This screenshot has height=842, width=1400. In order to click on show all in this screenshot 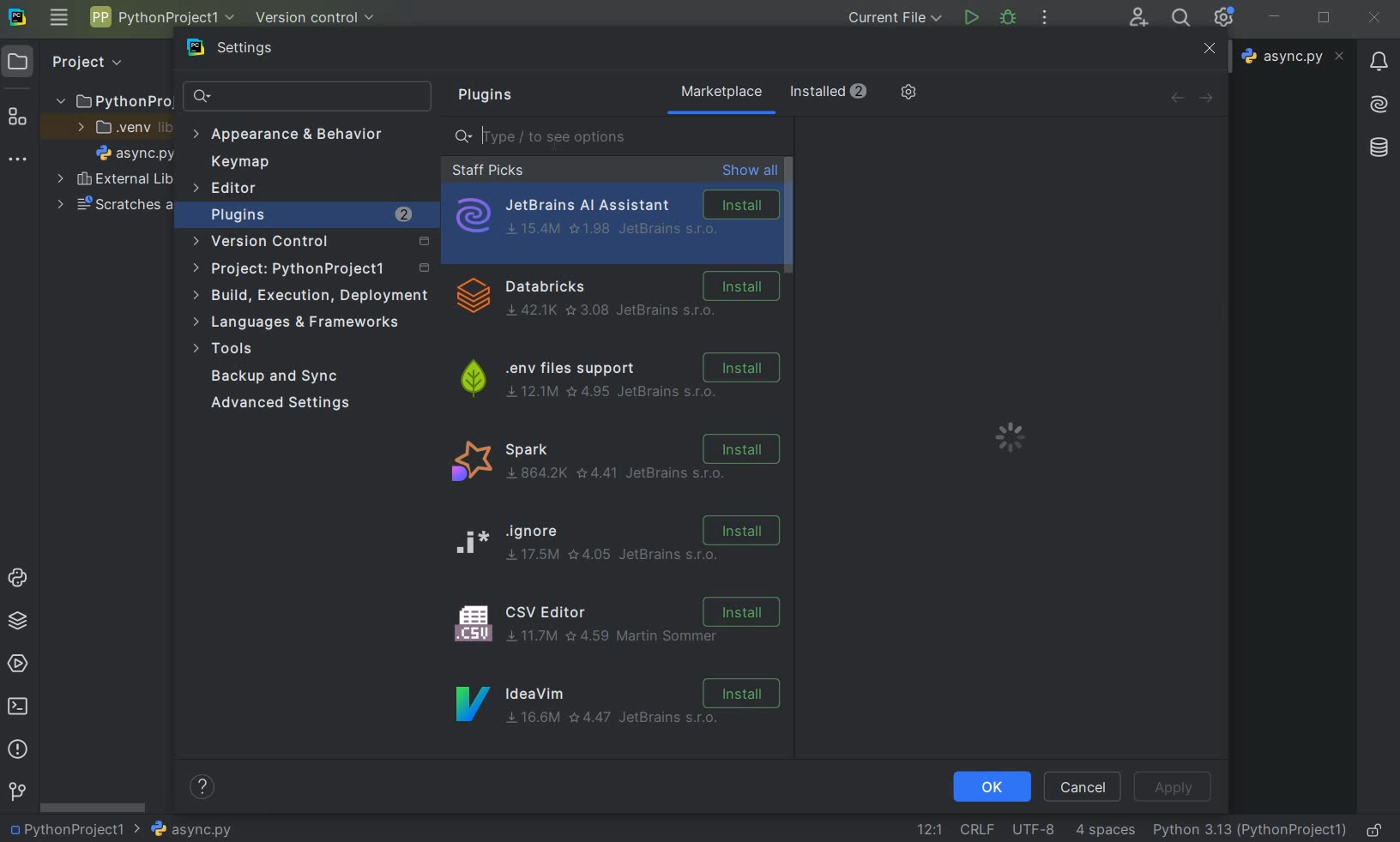, I will do `click(751, 171)`.